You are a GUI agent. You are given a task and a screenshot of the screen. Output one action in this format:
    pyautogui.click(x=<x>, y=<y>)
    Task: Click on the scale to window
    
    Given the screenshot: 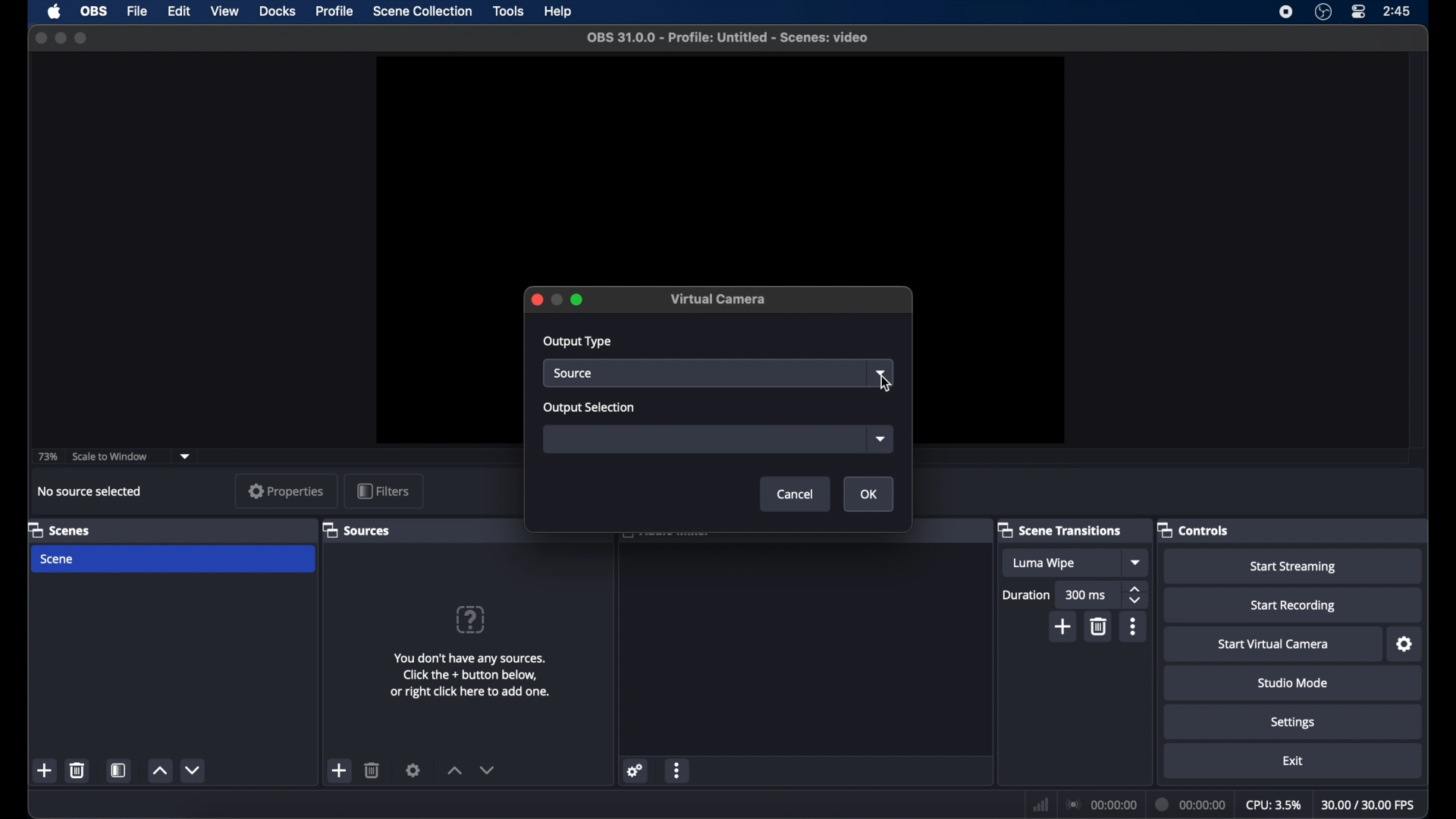 What is the action you would take?
    pyautogui.click(x=110, y=456)
    